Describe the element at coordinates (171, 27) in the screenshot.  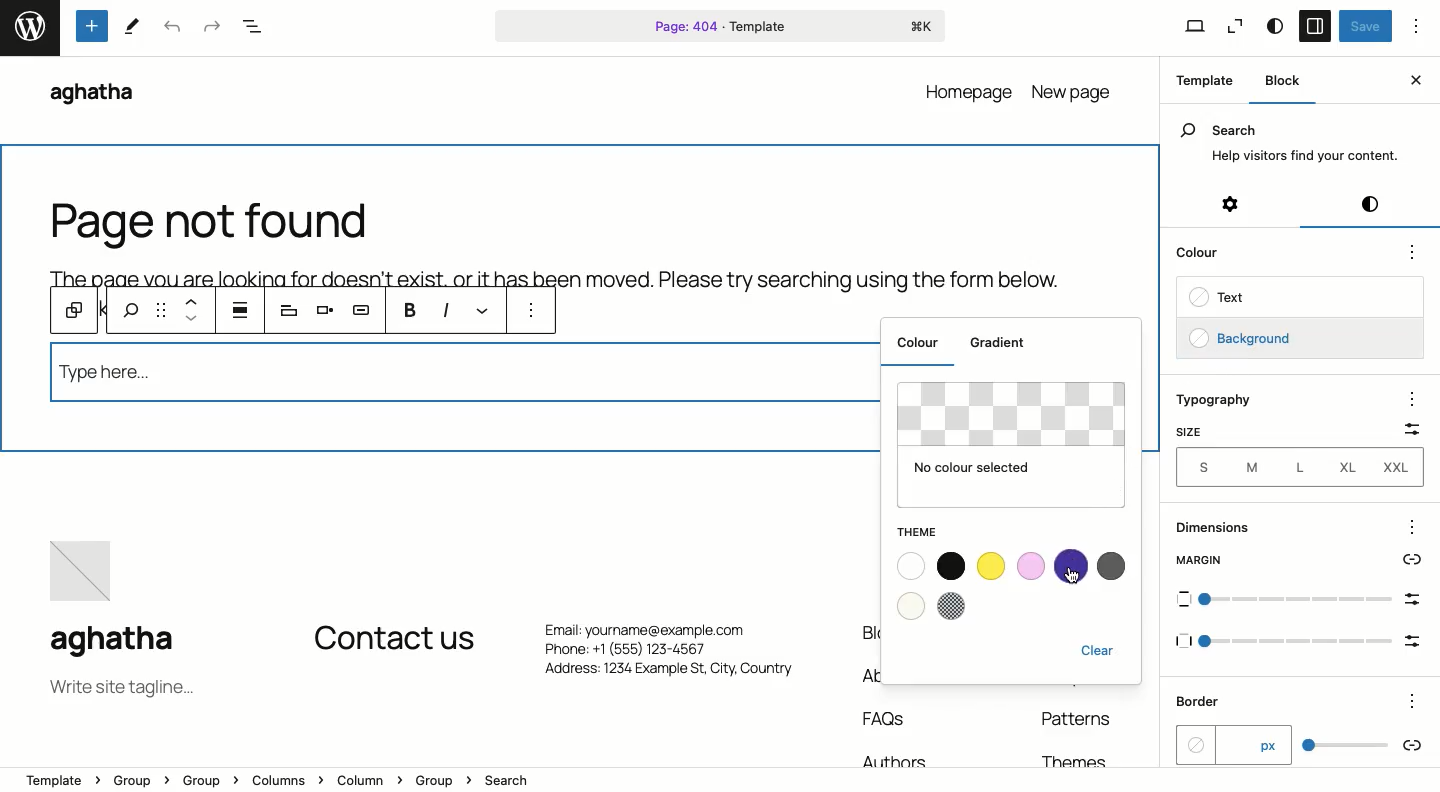
I see `Undo` at that location.